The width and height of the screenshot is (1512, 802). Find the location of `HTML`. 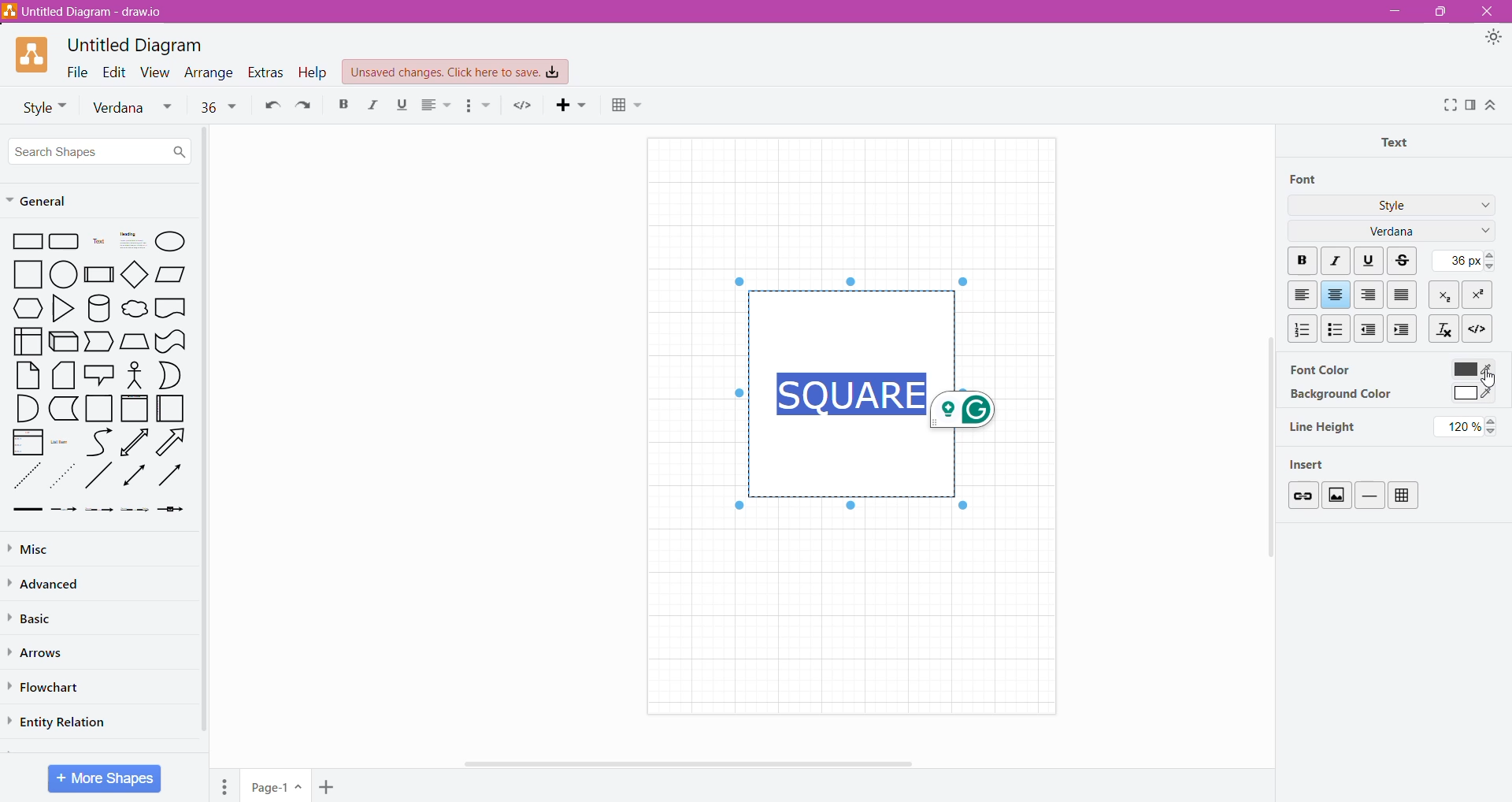

HTML is located at coordinates (1476, 327).